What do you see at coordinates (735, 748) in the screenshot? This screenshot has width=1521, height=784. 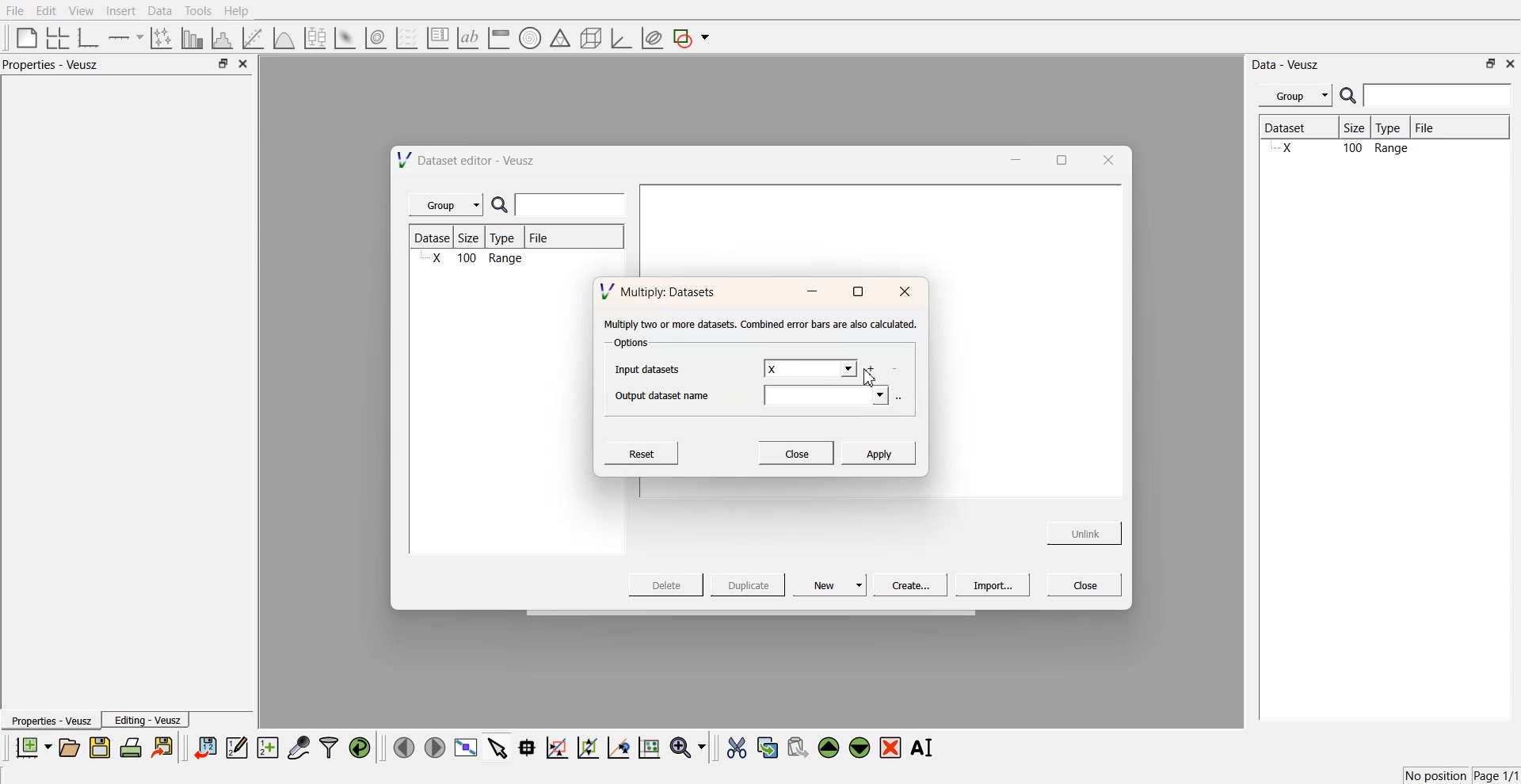 I see `cut the selected widgets` at bounding box center [735, 748].